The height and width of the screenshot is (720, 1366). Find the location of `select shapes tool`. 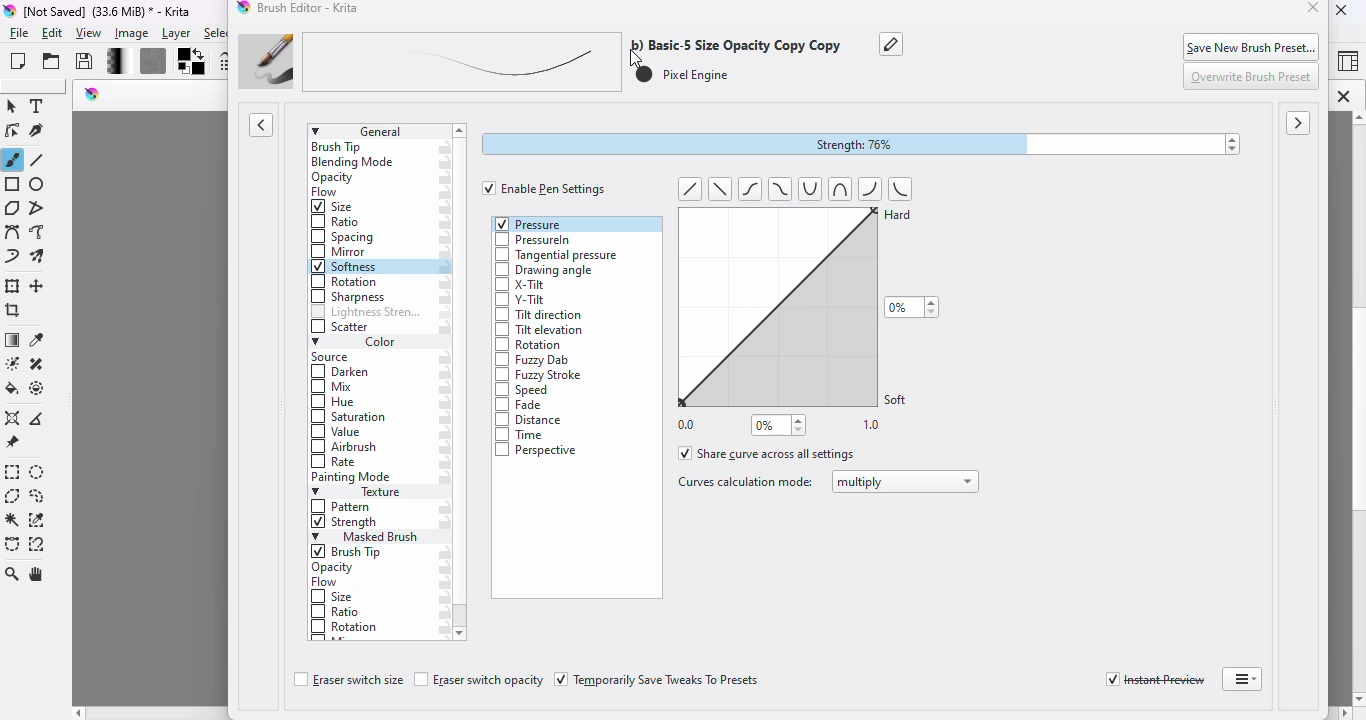

select shapes tool is located at coordinates (12, 106).